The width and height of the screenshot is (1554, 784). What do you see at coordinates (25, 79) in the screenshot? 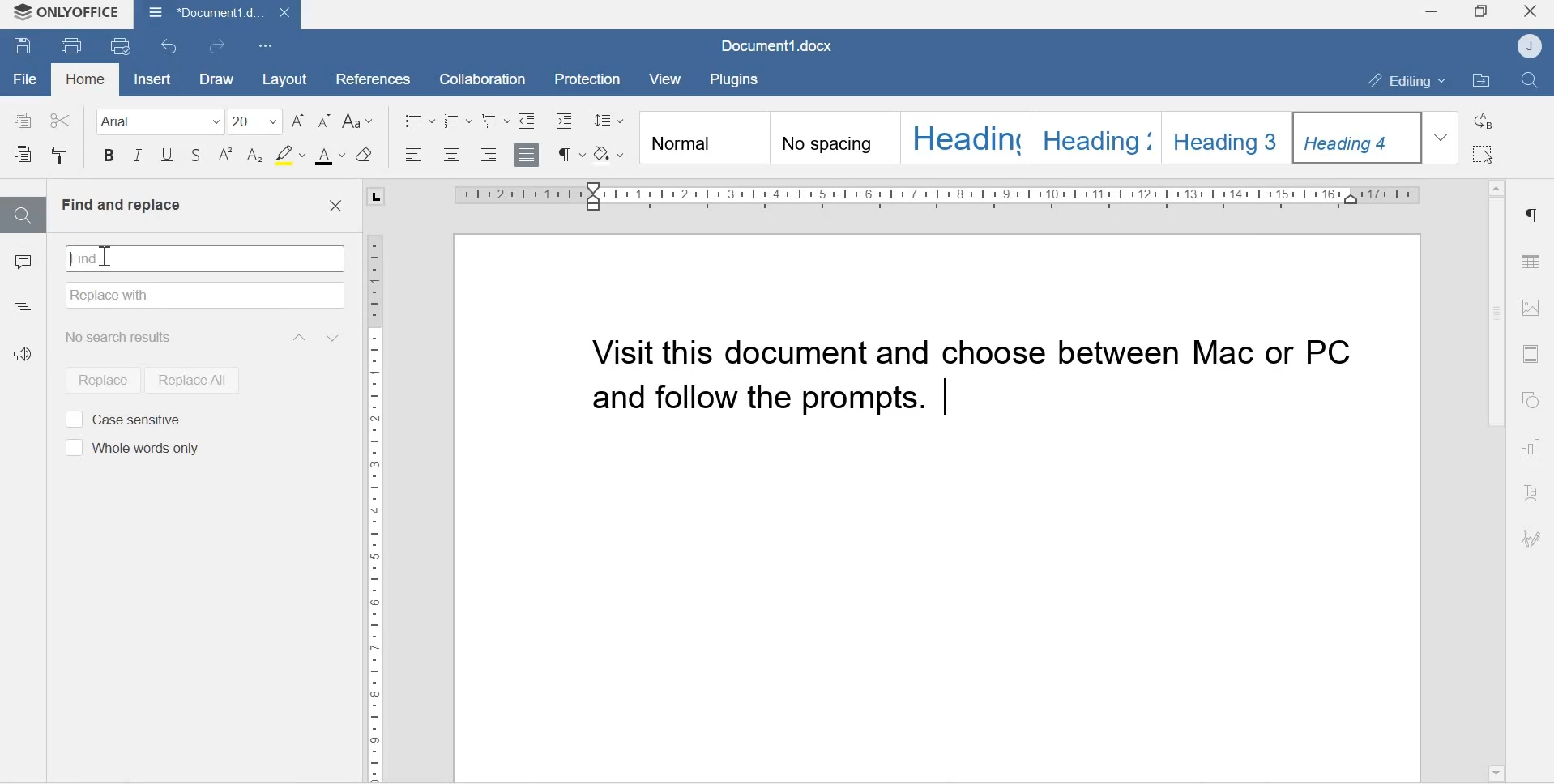
I see `File` at bounding box center [25, 79].